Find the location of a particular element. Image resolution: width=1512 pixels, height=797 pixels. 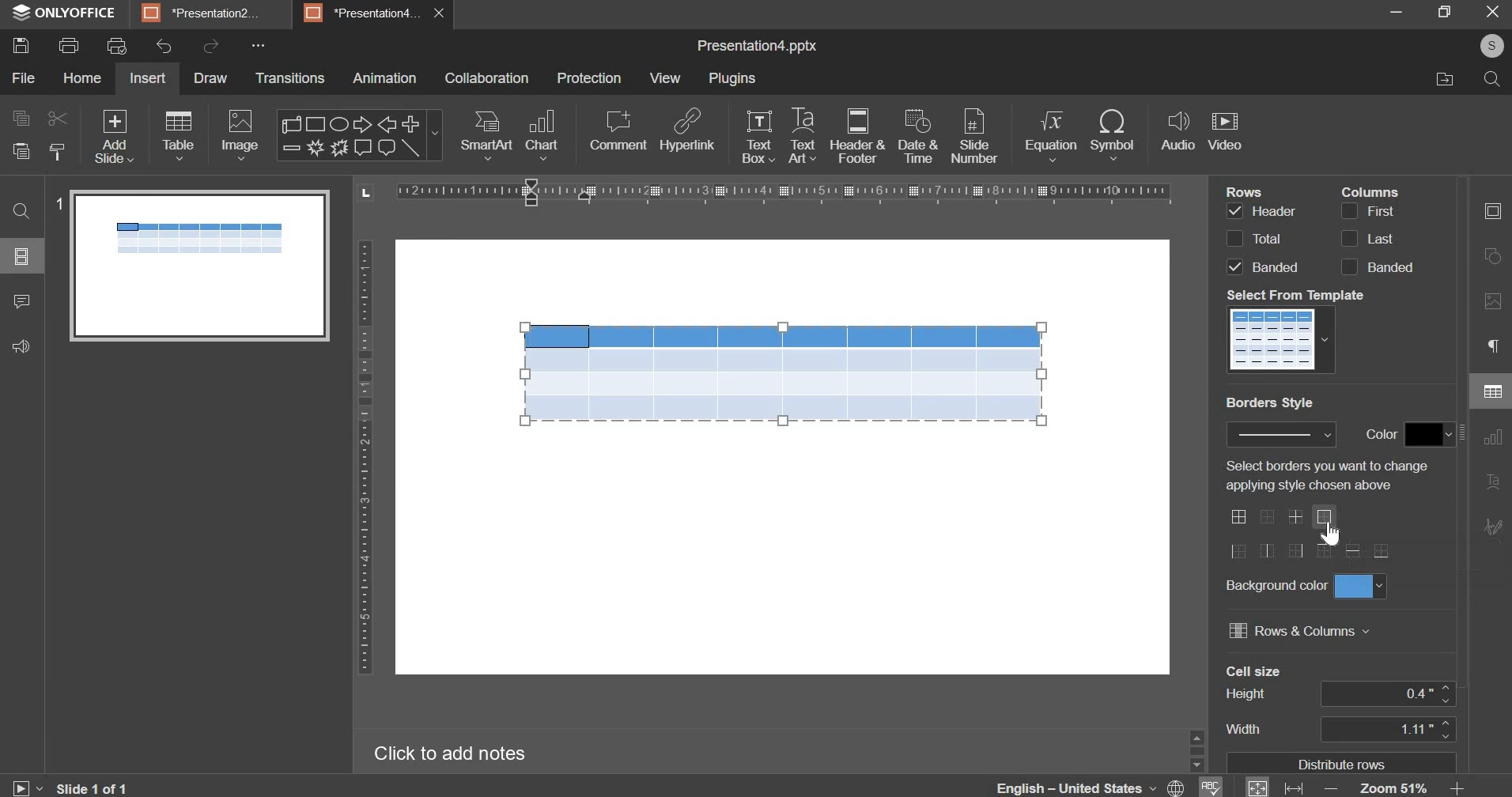

1 is located at coordinates (61, 205).